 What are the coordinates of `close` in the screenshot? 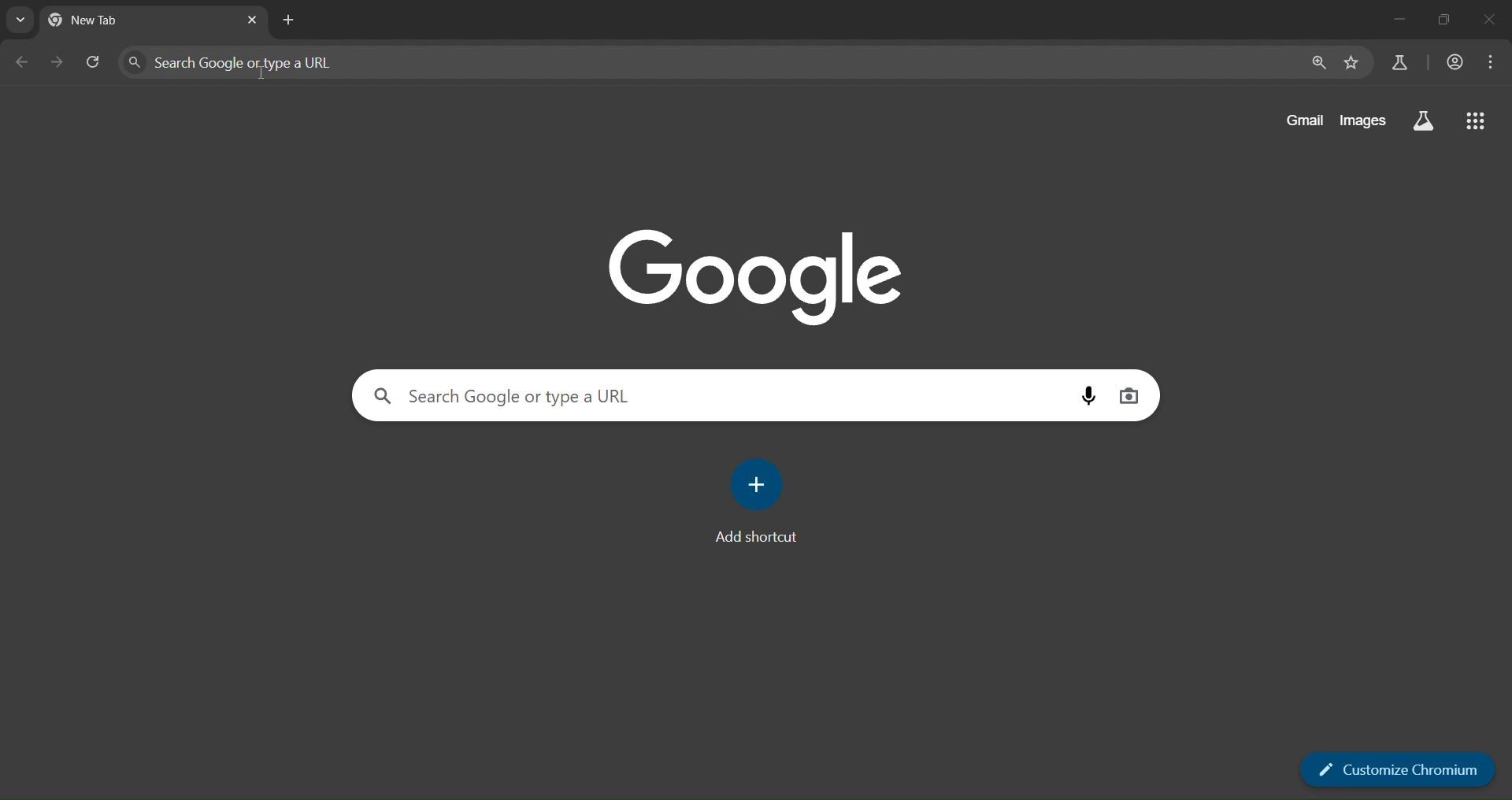 It's located at (1492, 21).